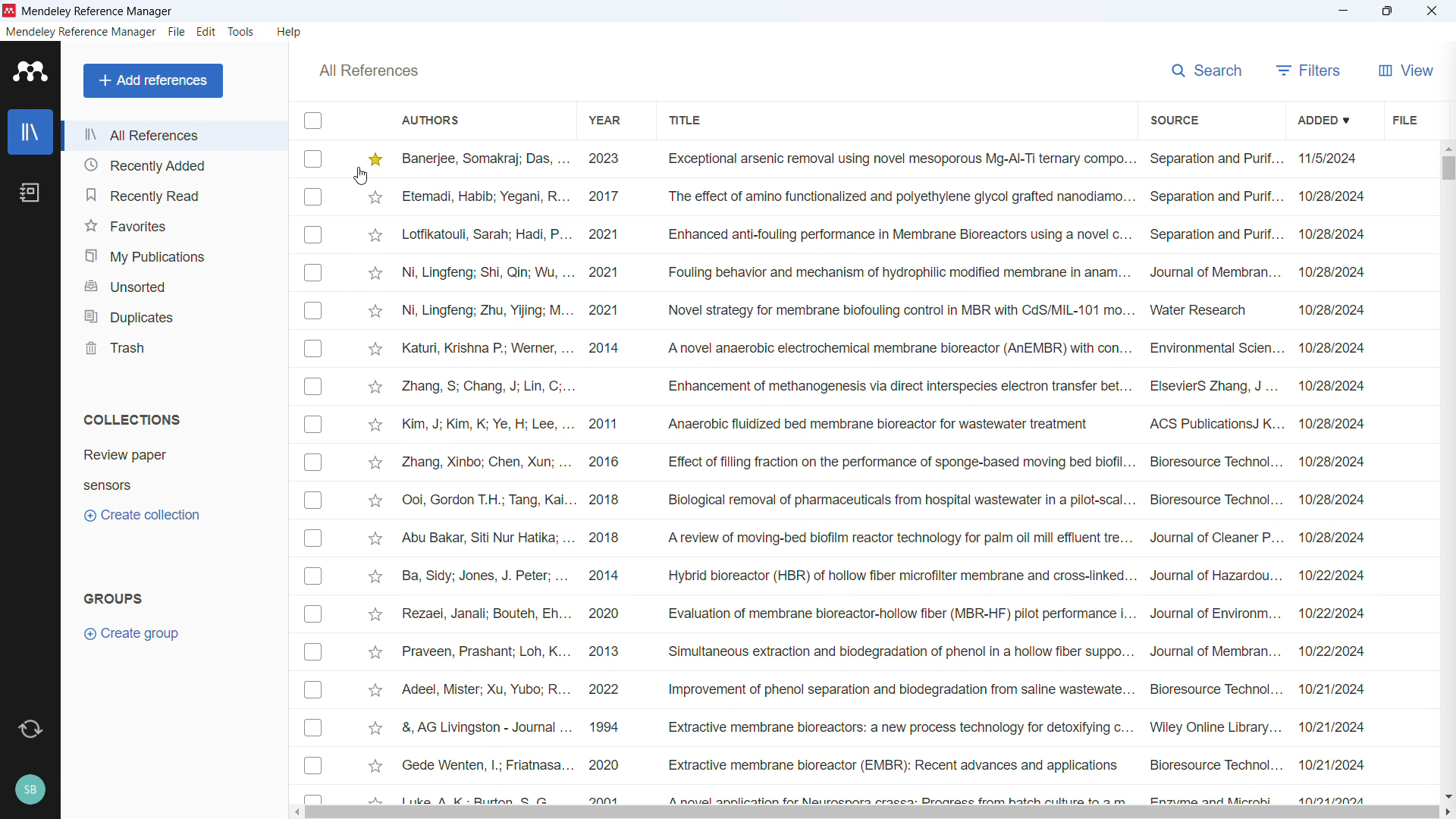  Describe the element at coordinates (177, 32) in the screenshot. I see `file` at that location.